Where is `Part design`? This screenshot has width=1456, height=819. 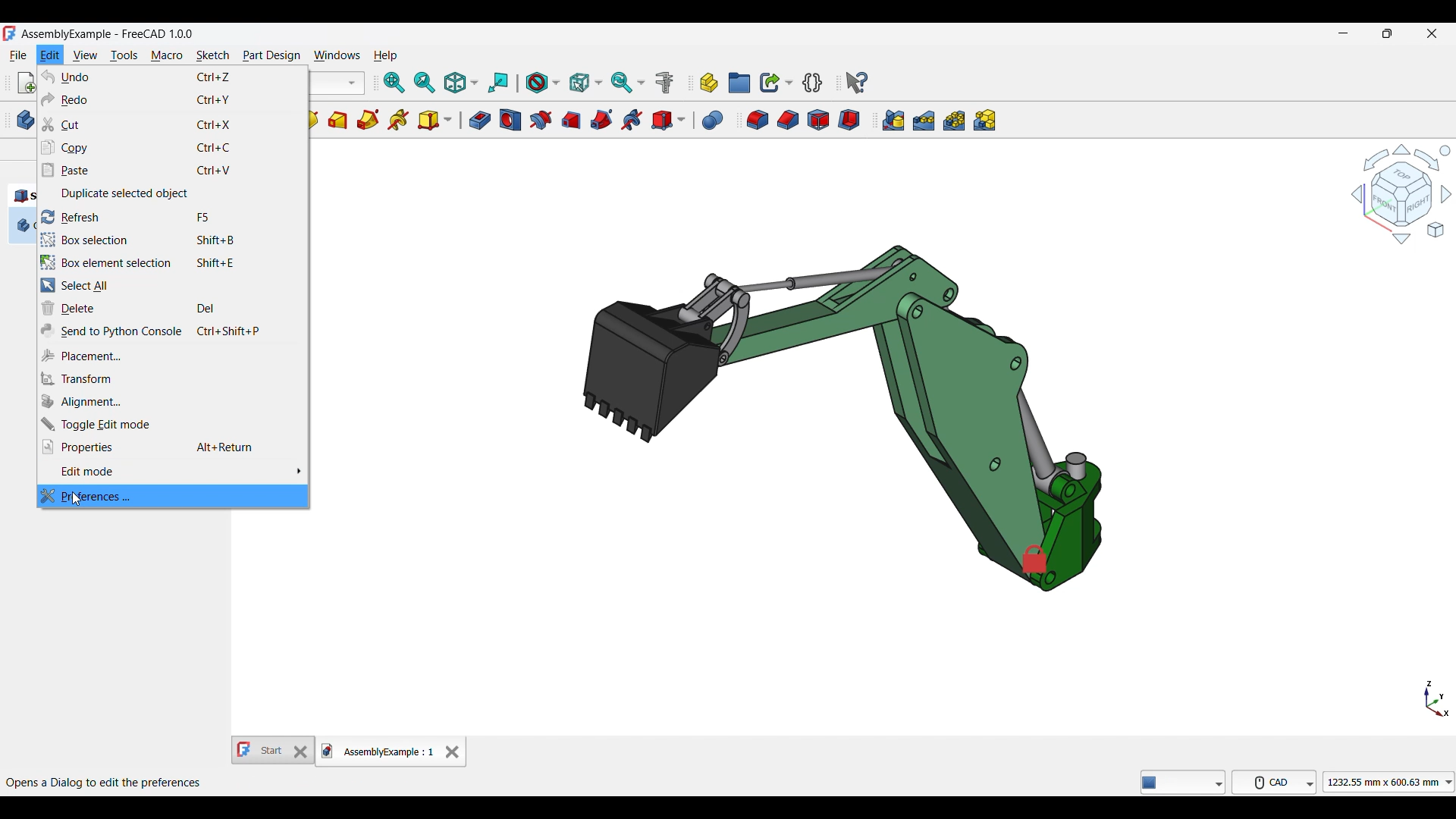
Part design is located at coordinates (271, 55).